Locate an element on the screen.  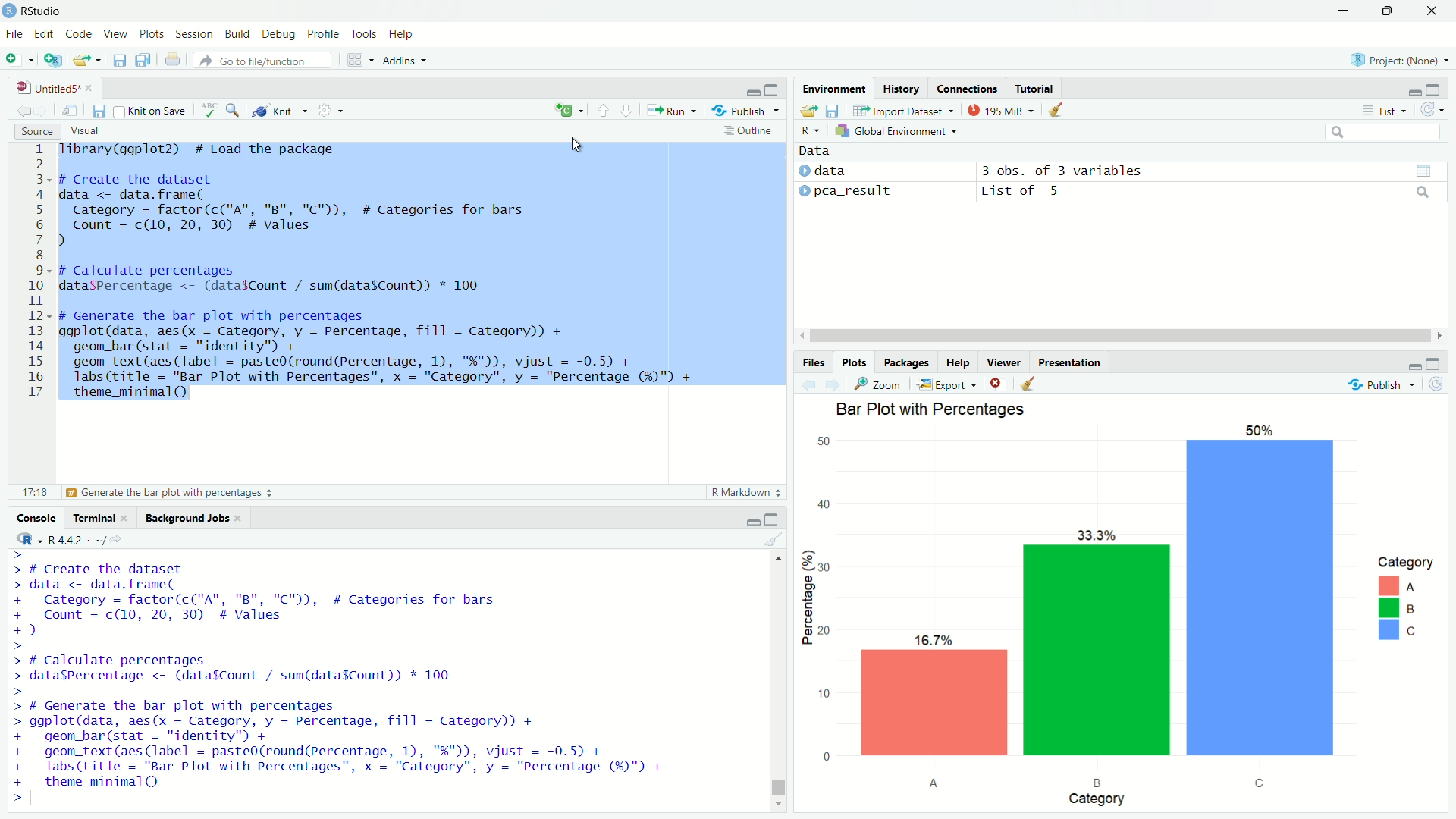
knit is located at coordinates (278, 110).